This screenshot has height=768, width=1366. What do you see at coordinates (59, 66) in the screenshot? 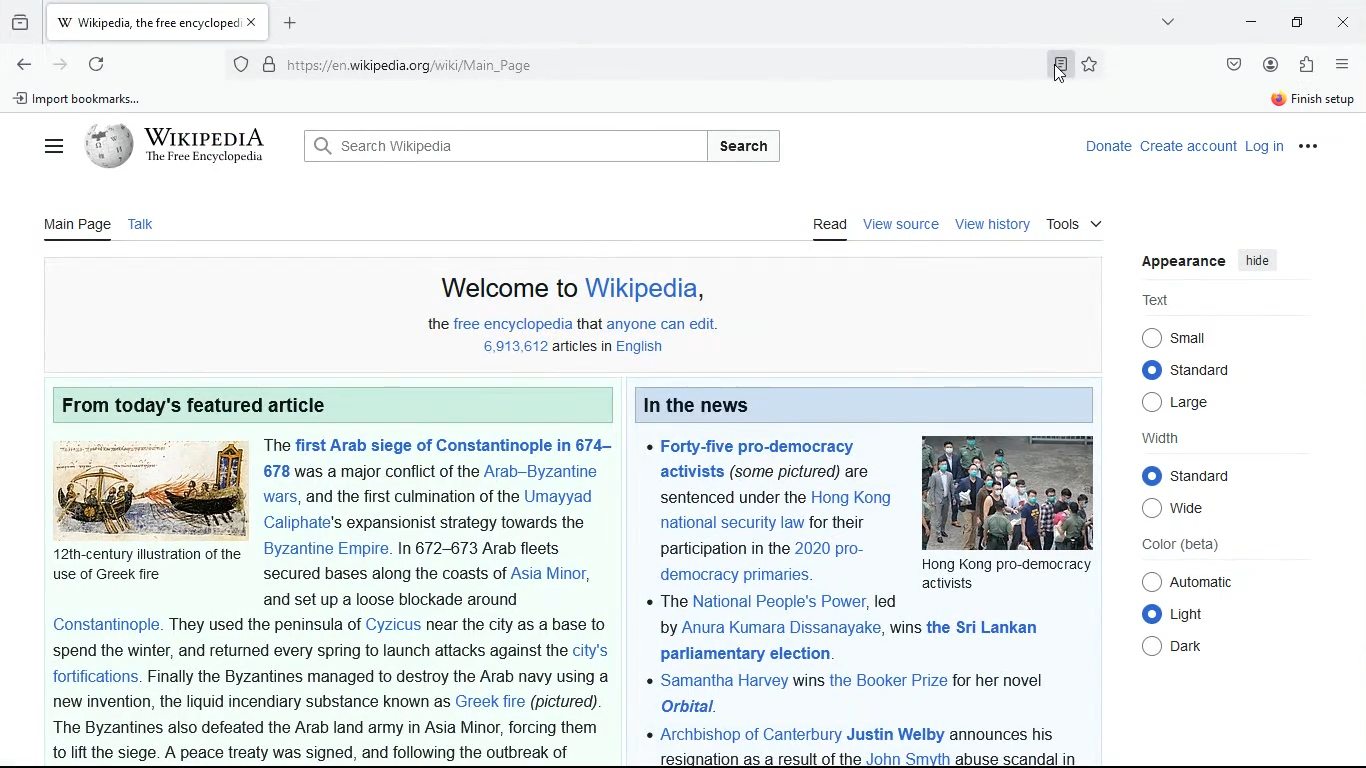
I see `forward` at bounding box center [59, 66].